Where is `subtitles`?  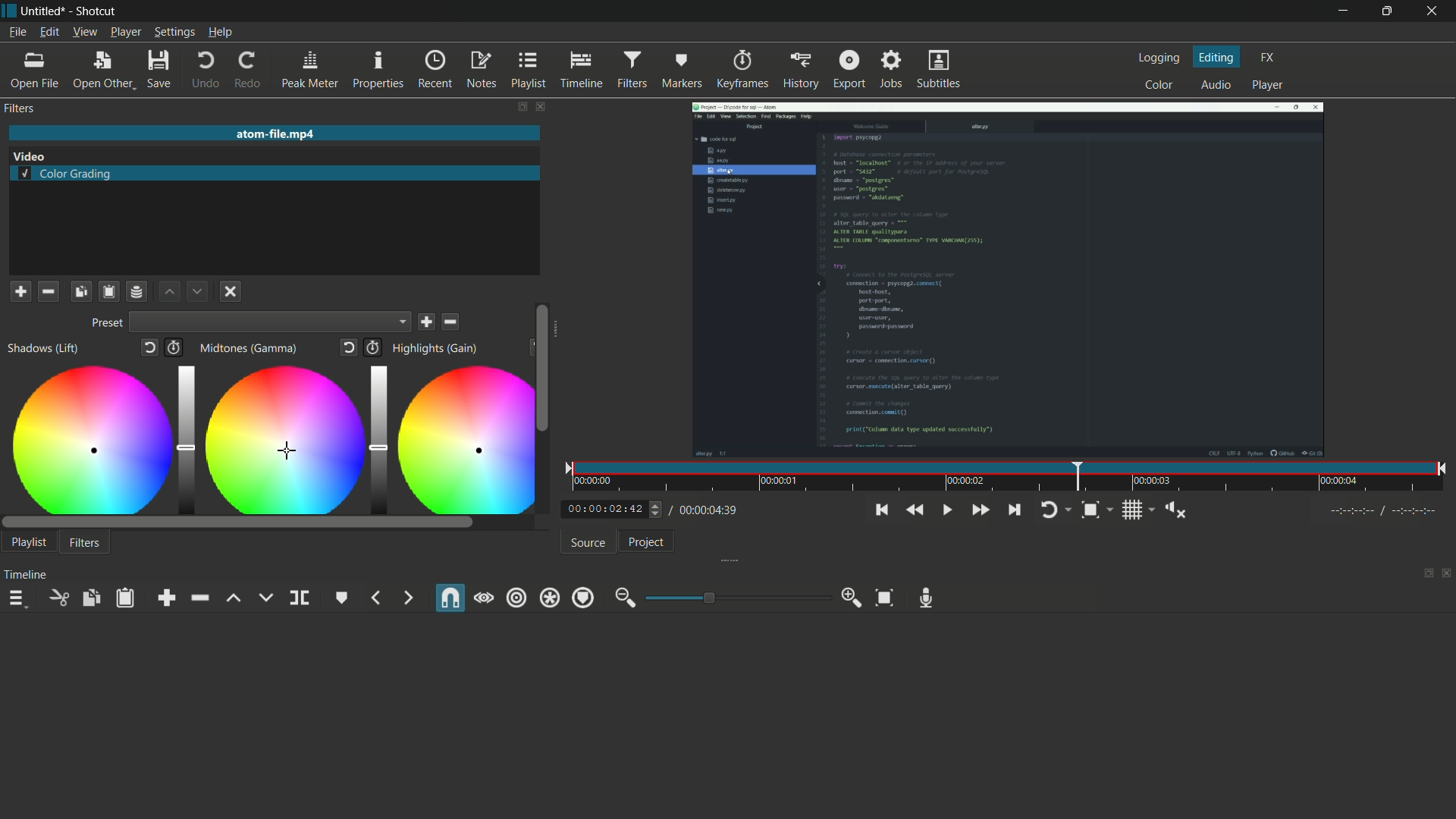
subtitles is located at coordinates (938, 69).